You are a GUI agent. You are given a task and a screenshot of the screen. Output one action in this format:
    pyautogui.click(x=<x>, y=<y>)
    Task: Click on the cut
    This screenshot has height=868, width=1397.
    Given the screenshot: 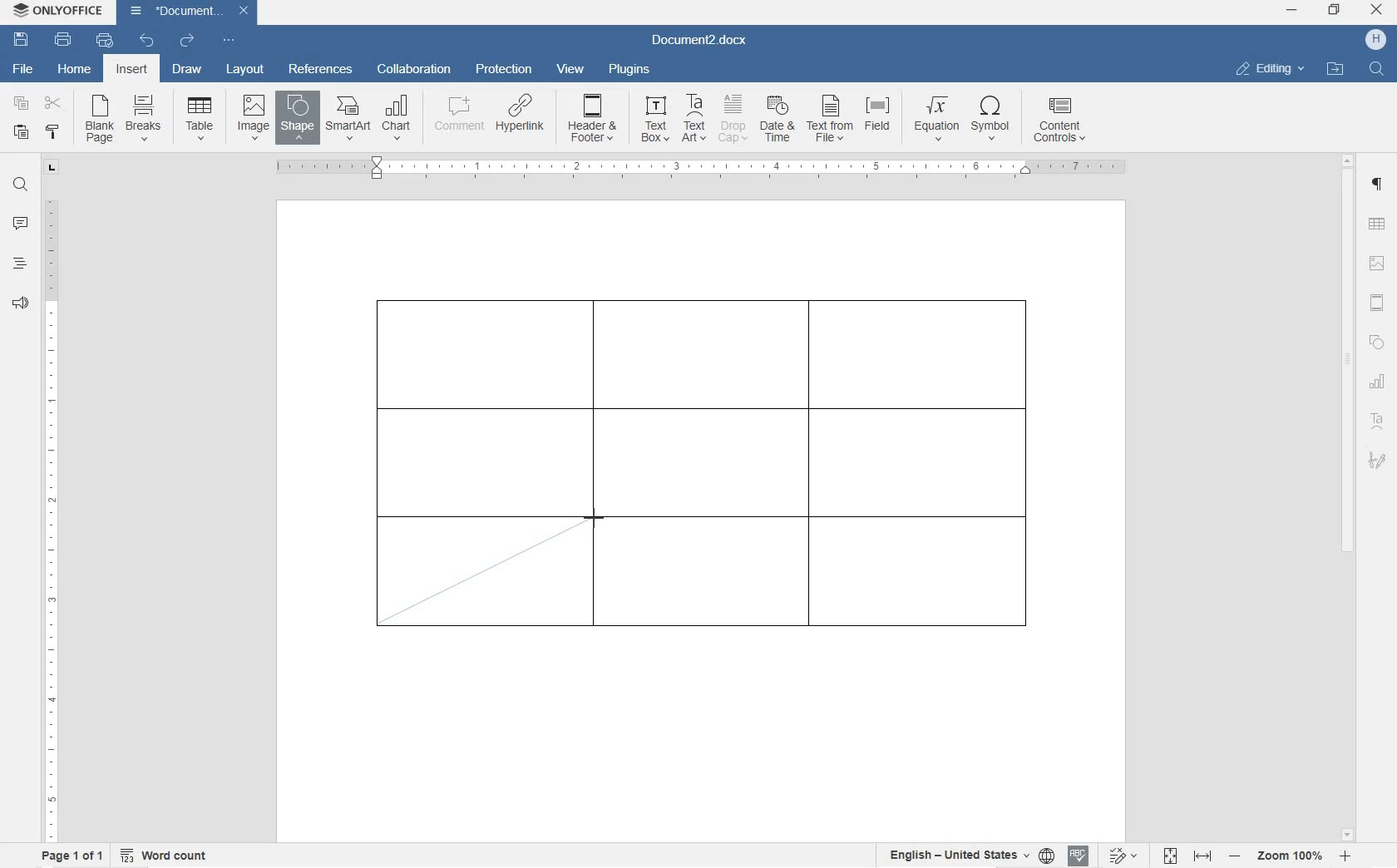 What is the action you would take?
    pyautogui.click(x=52, y=104)
    